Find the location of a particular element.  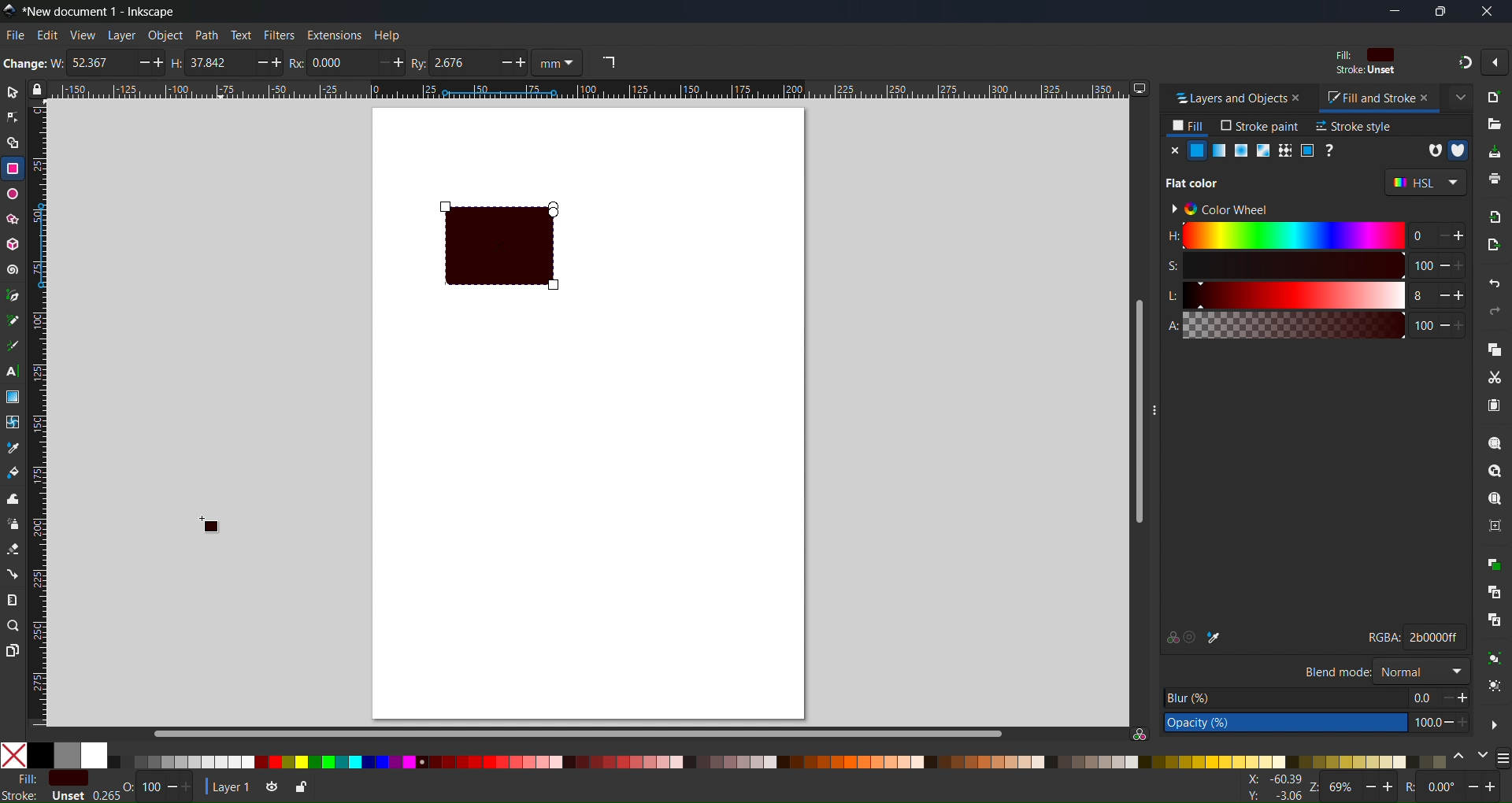

cursor is located at coordinates (171, 46).